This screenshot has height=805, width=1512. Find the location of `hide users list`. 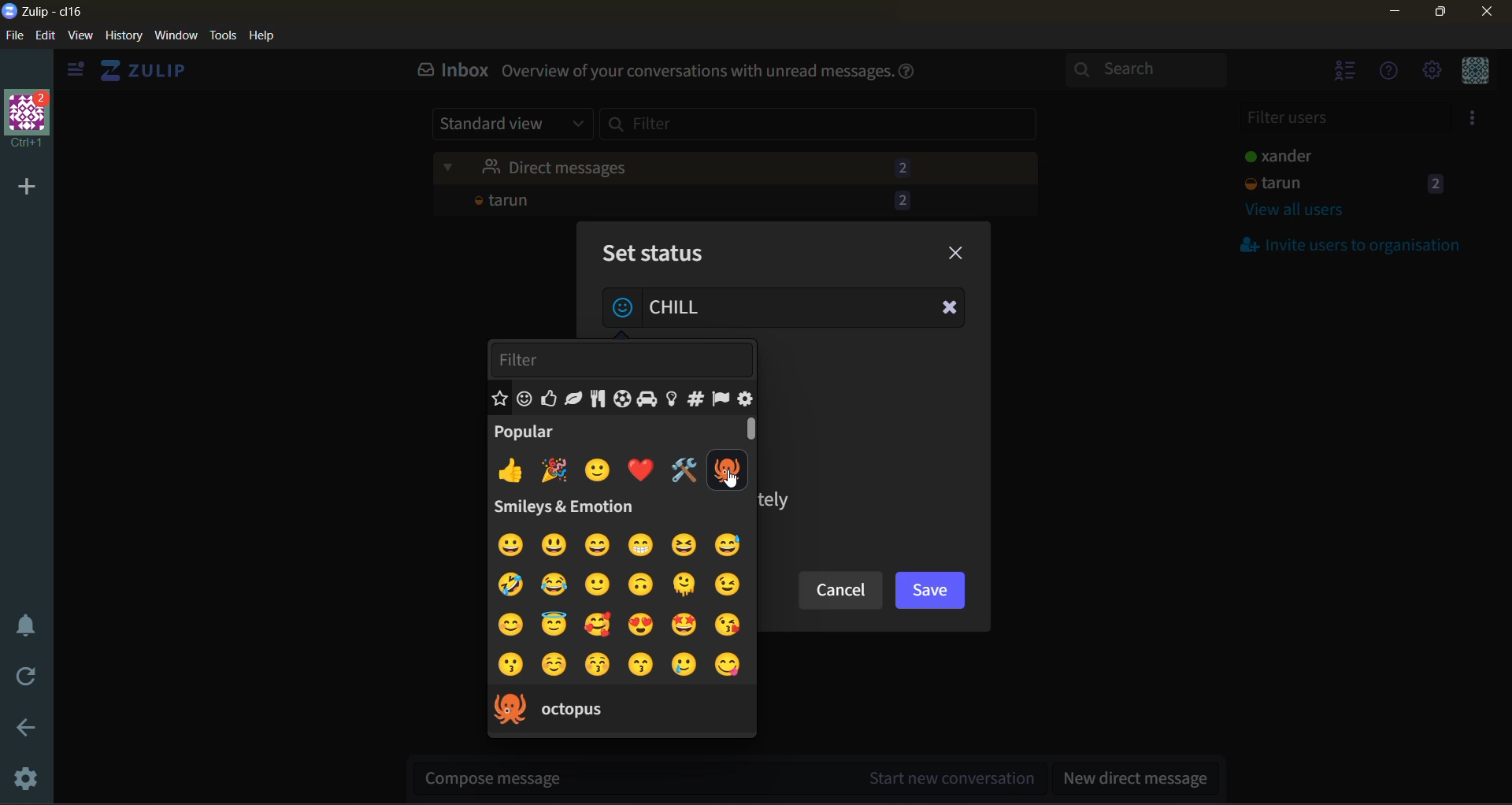

hide users list is located at coordinates (1340, 75).